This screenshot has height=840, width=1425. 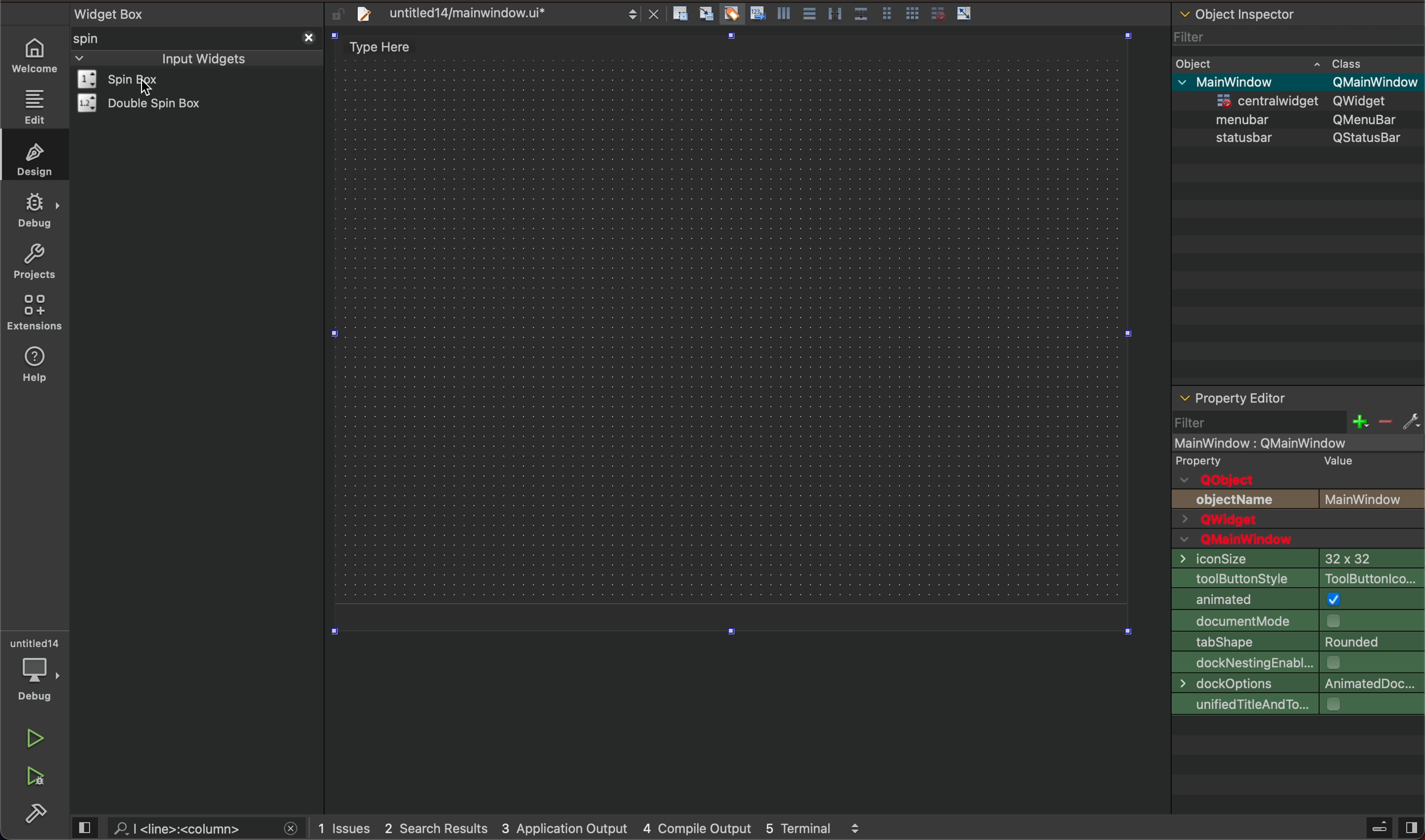 What do you see at coordinates (33, 106) in the screenshot?
I see `edit` at bounding box center [33, 106].